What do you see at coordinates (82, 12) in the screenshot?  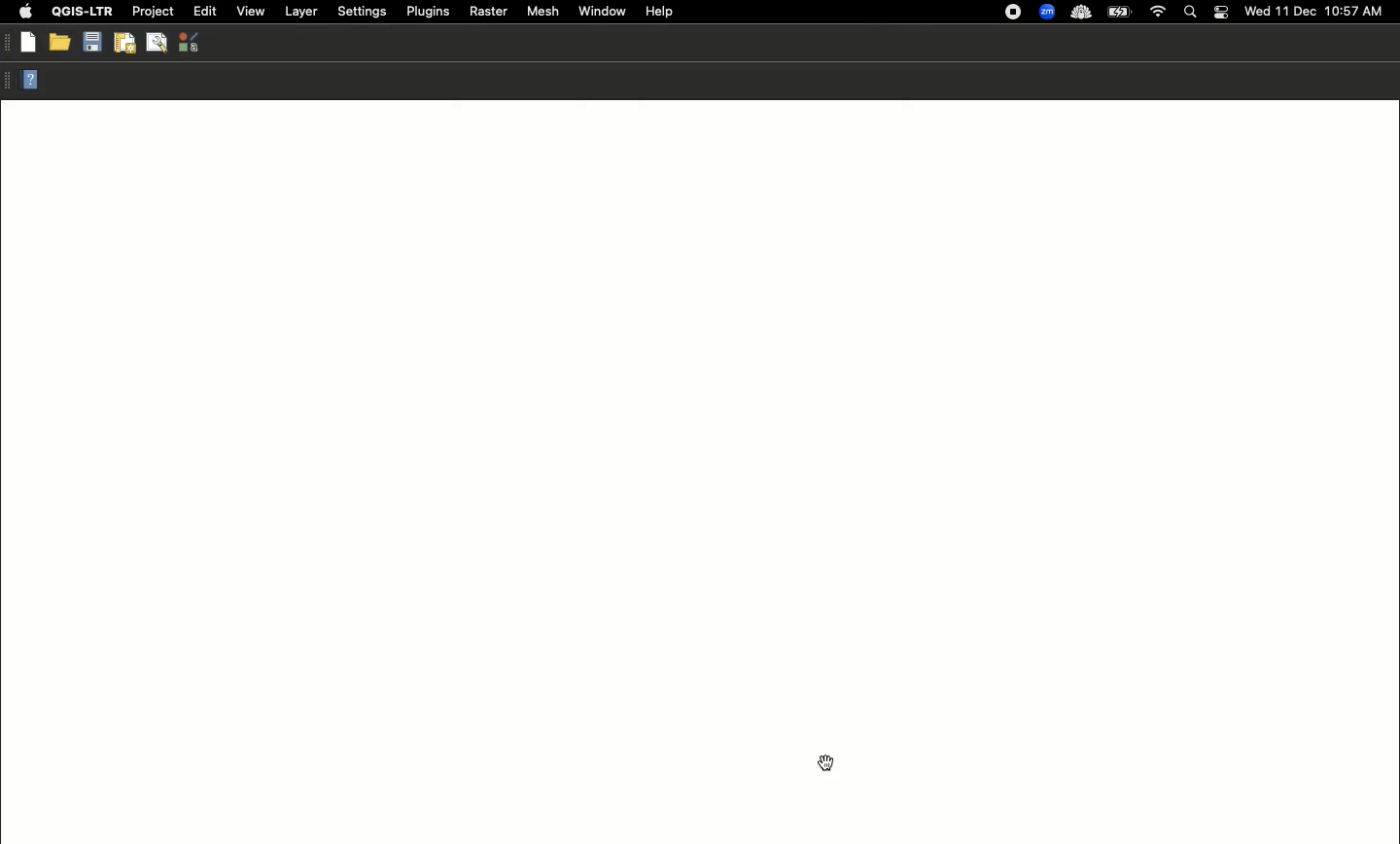 I see `QGIS` at bounding box center [82, 12].